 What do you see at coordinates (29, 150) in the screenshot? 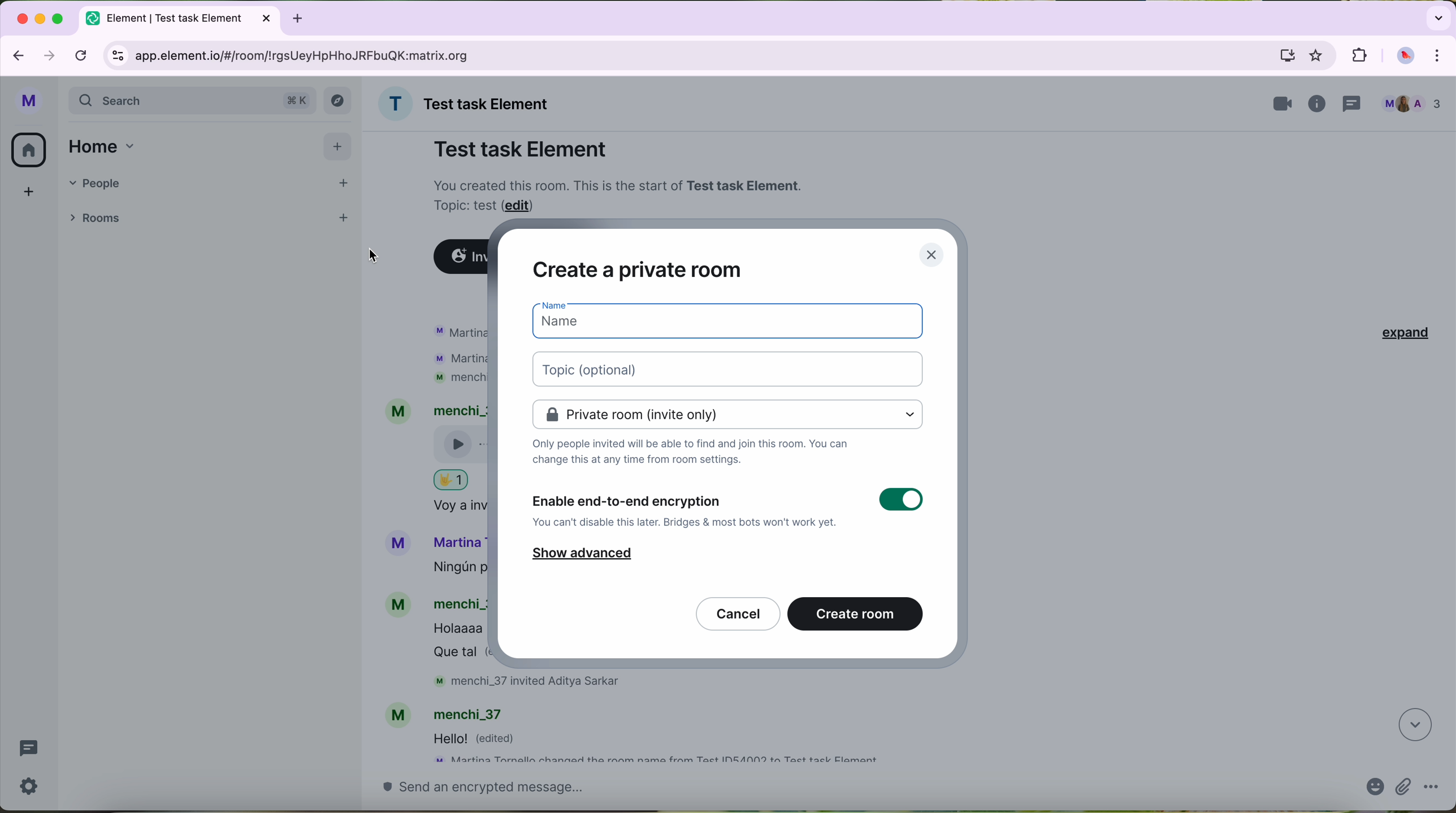
I see `home button` at bounding box center [29, 150].